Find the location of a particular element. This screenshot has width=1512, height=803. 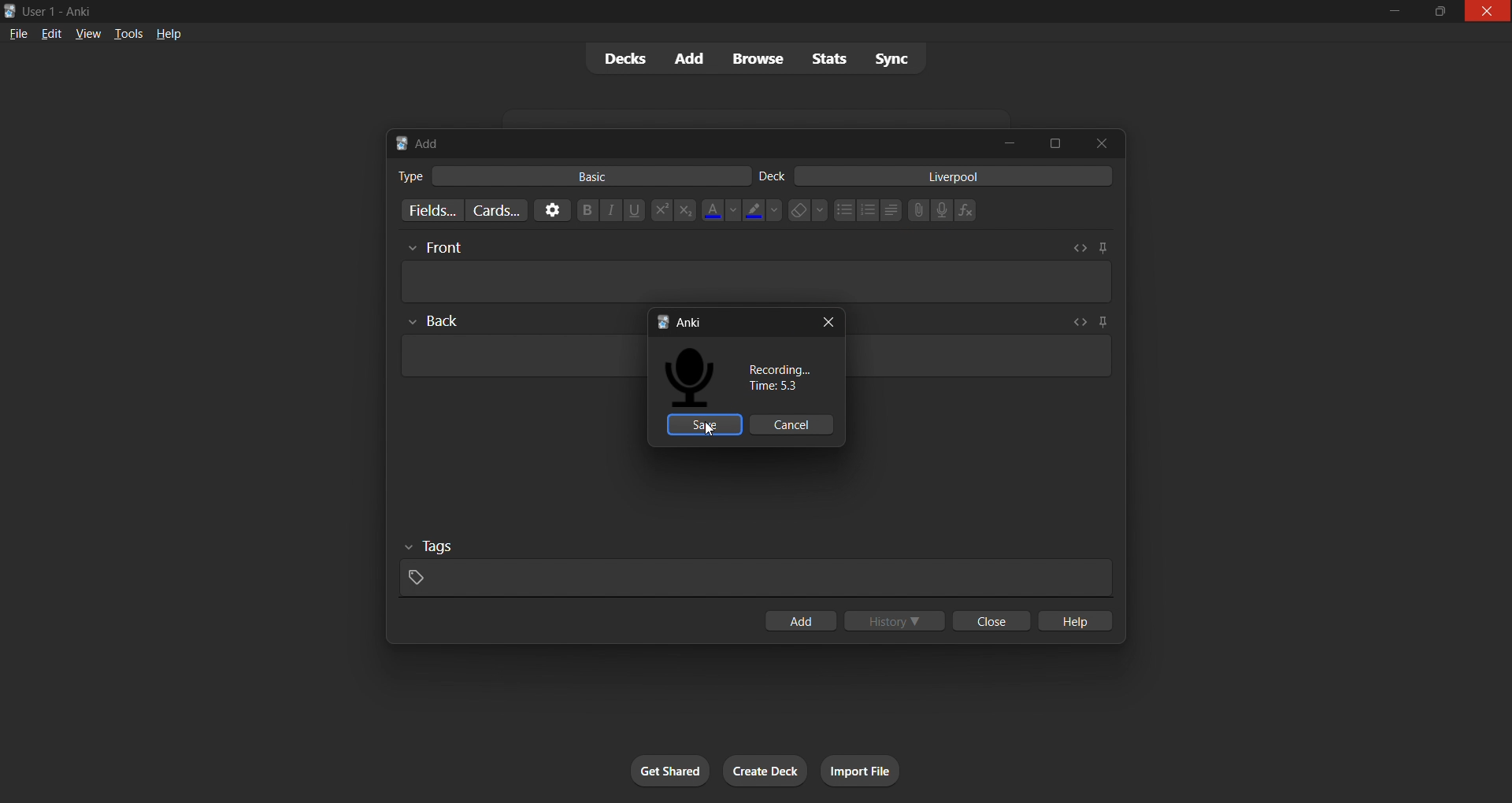

cancel is located at coordinates (794, 424).